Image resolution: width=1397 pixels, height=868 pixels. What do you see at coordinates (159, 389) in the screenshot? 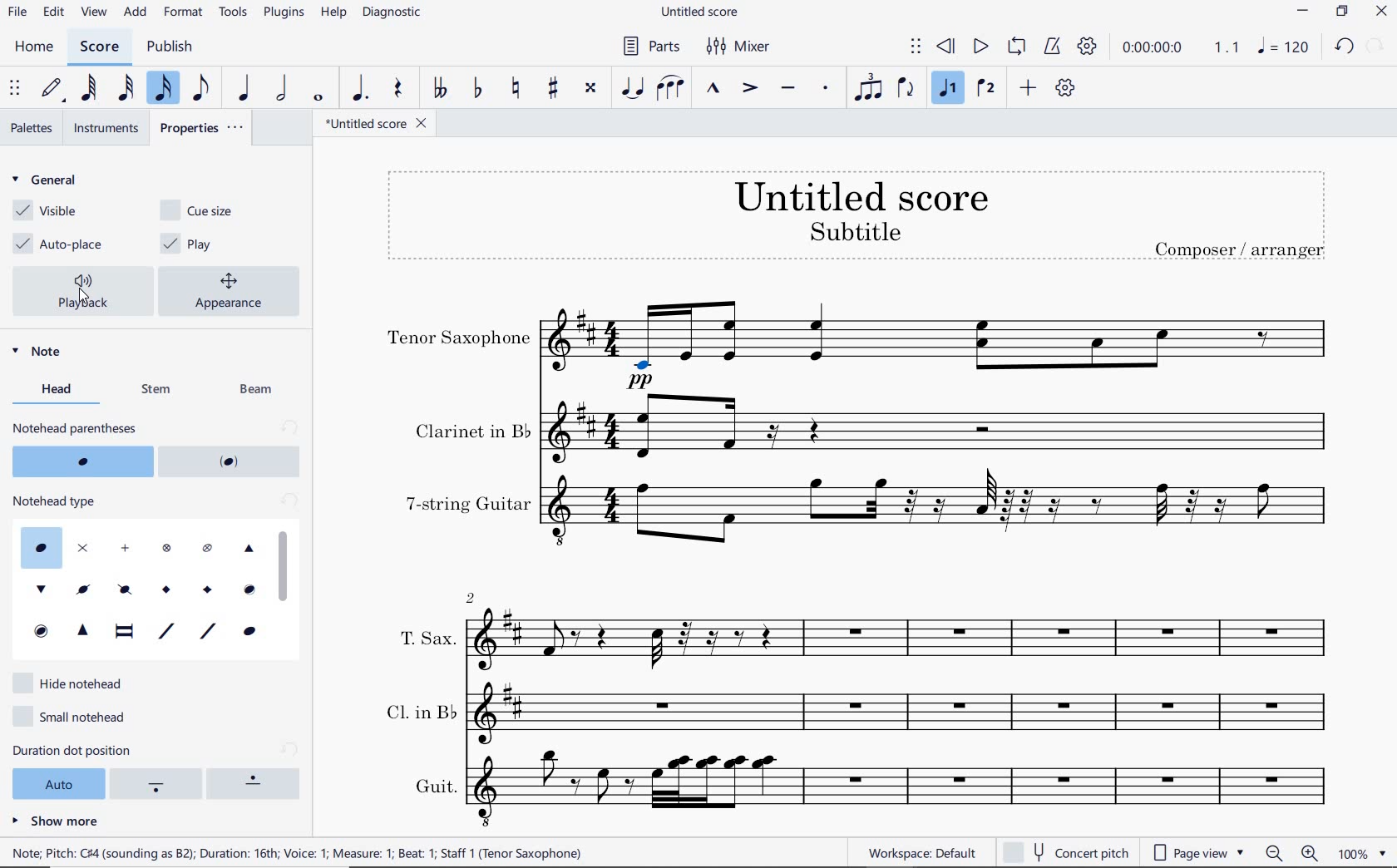
I see `stem` at bounding box center [159, 389].